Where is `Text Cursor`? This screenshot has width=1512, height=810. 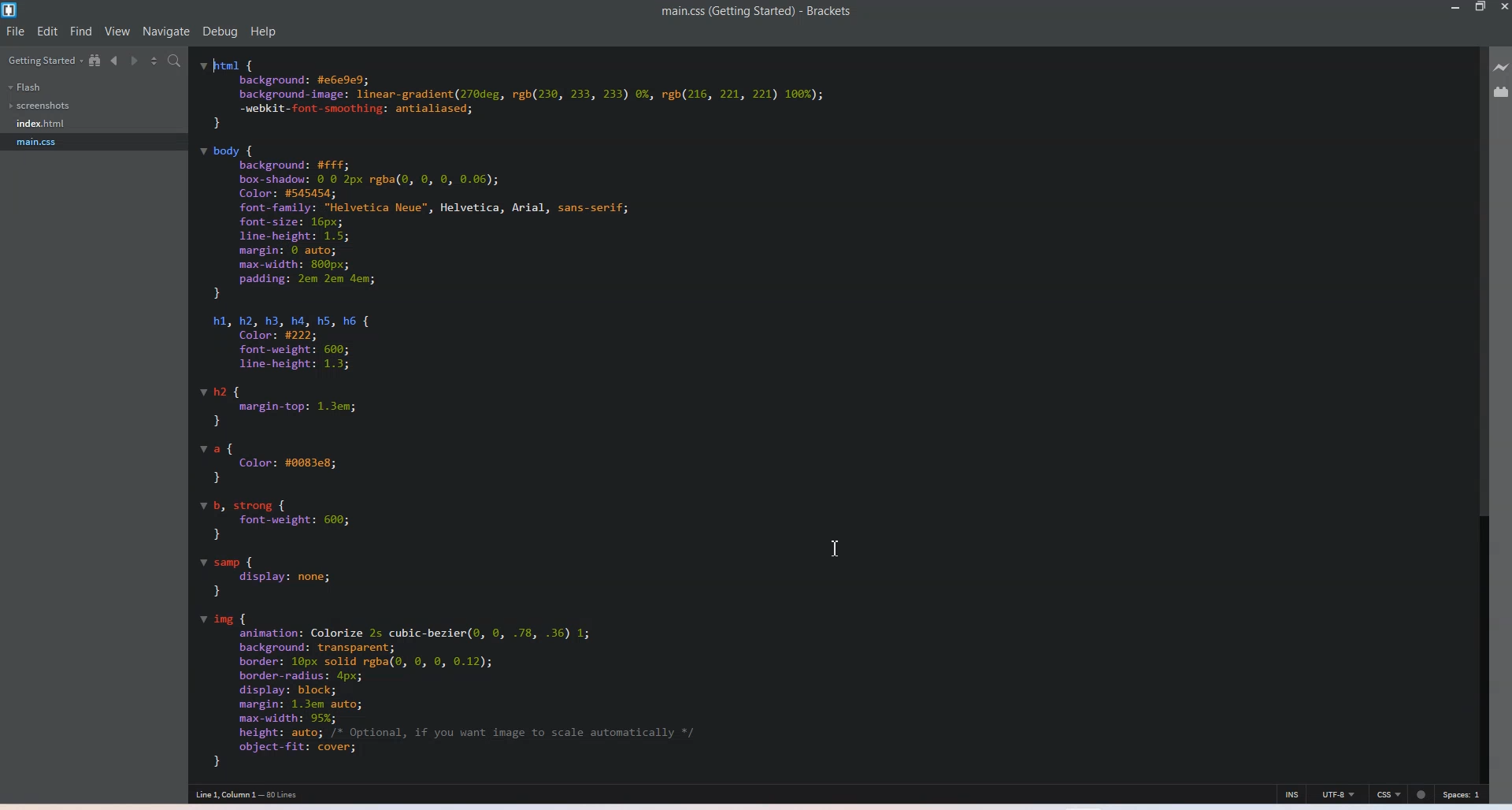 Text Cursor is located at coordinates (839, 550).